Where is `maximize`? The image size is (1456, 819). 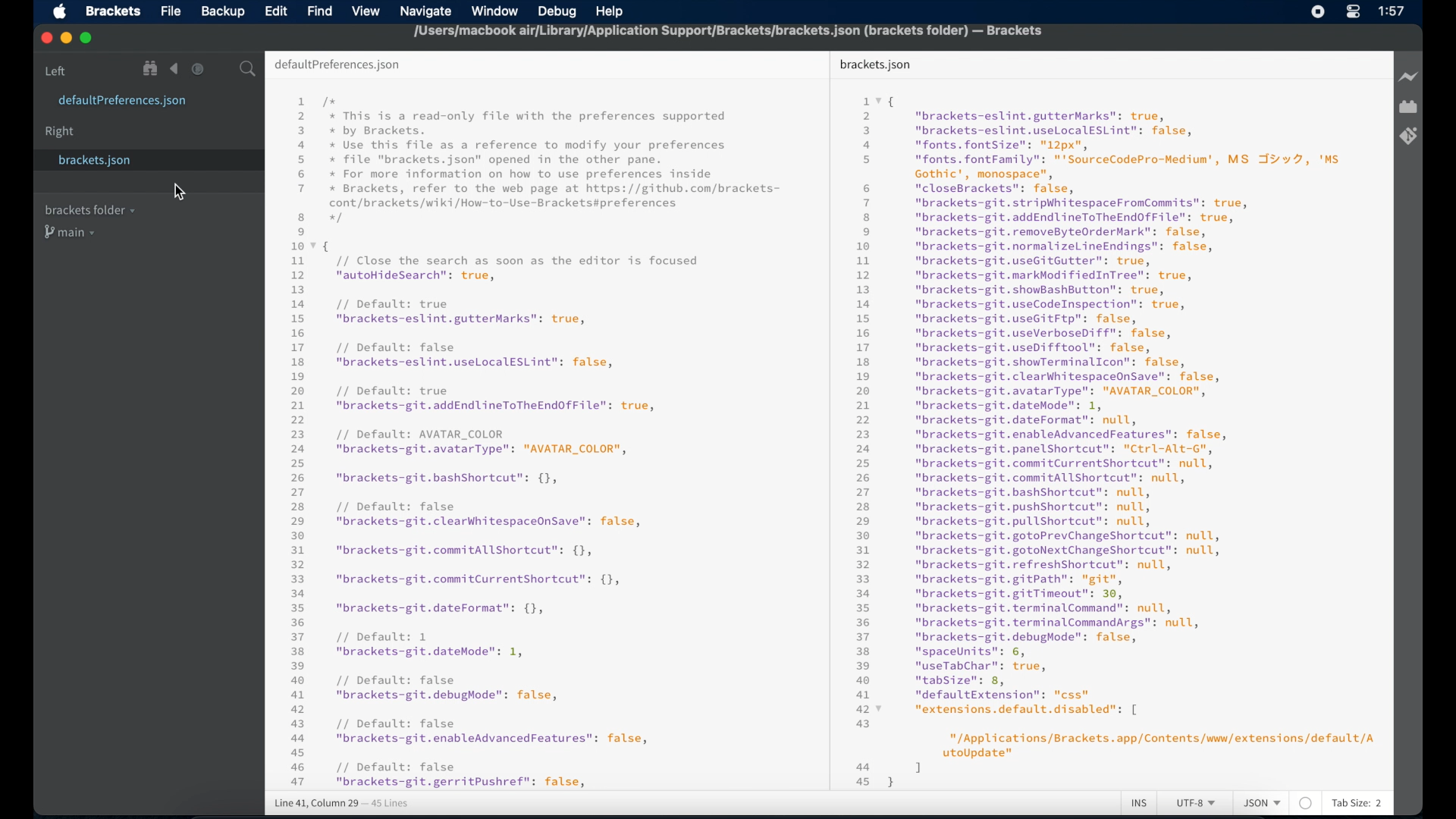 maximize is located at coordinates (87, 39).